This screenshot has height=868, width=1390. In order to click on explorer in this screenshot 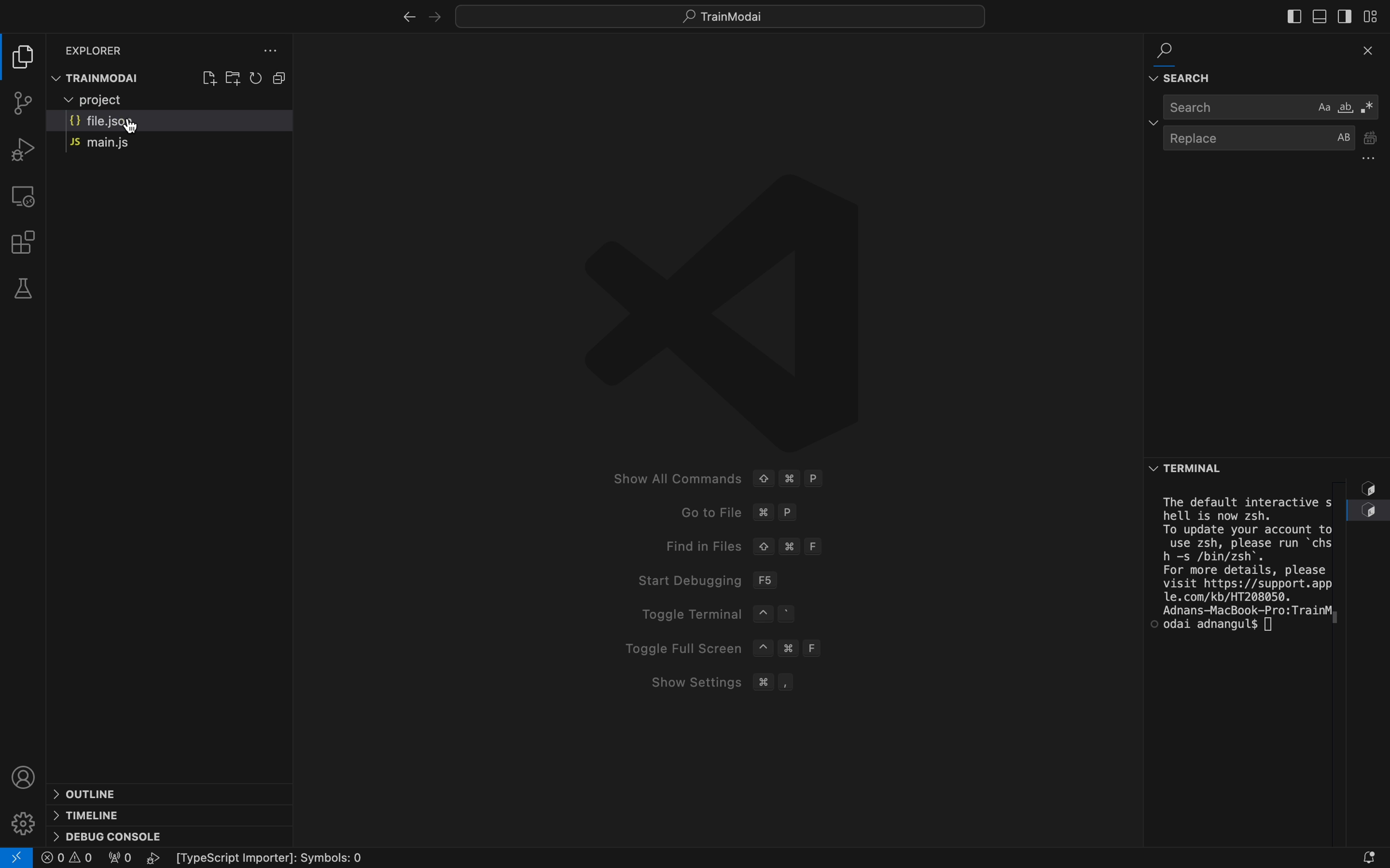, I will do `click(103, 50)`.